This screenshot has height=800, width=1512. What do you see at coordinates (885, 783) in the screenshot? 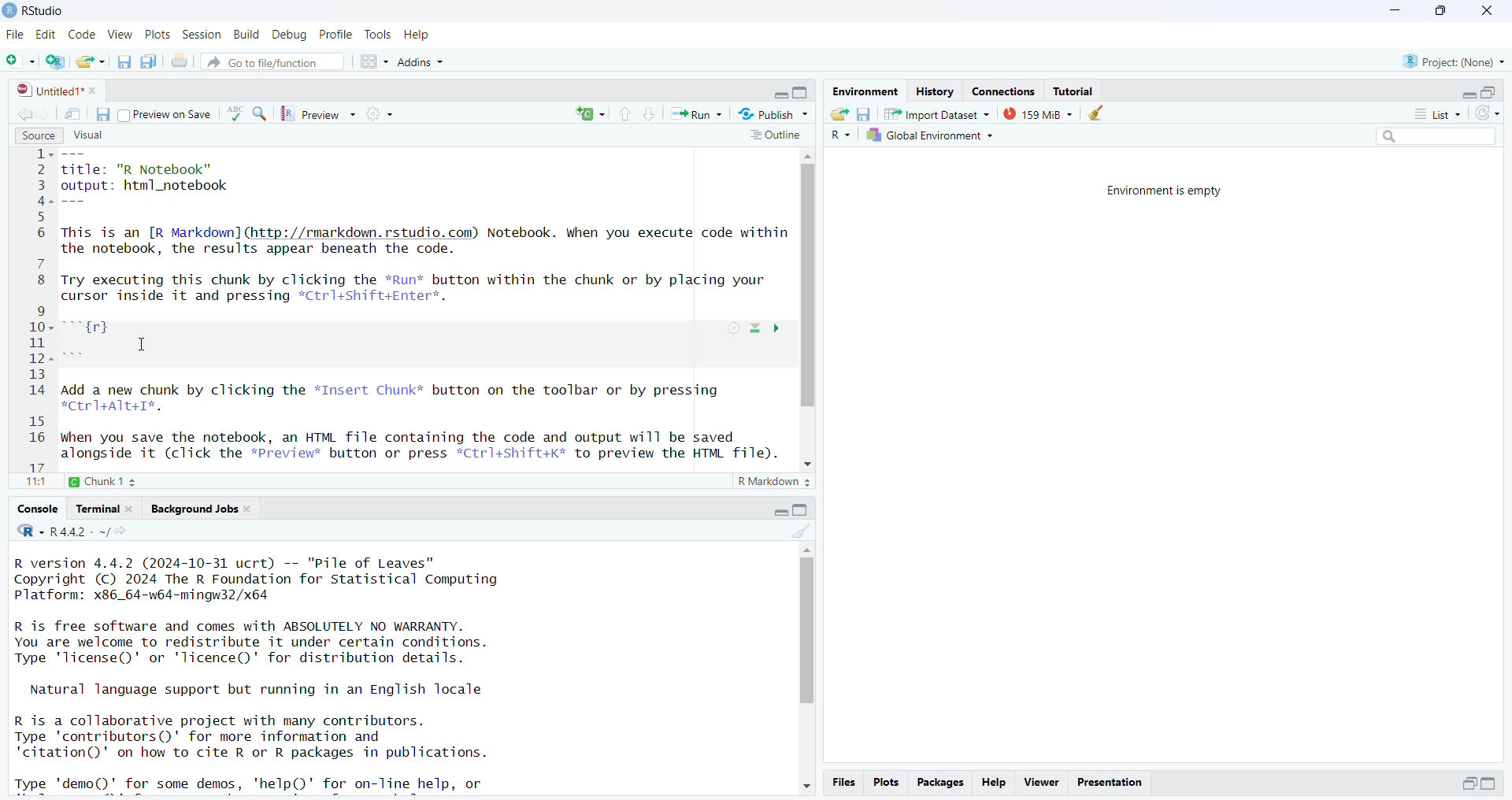
I see `plots` at bounding box center [885, 783].